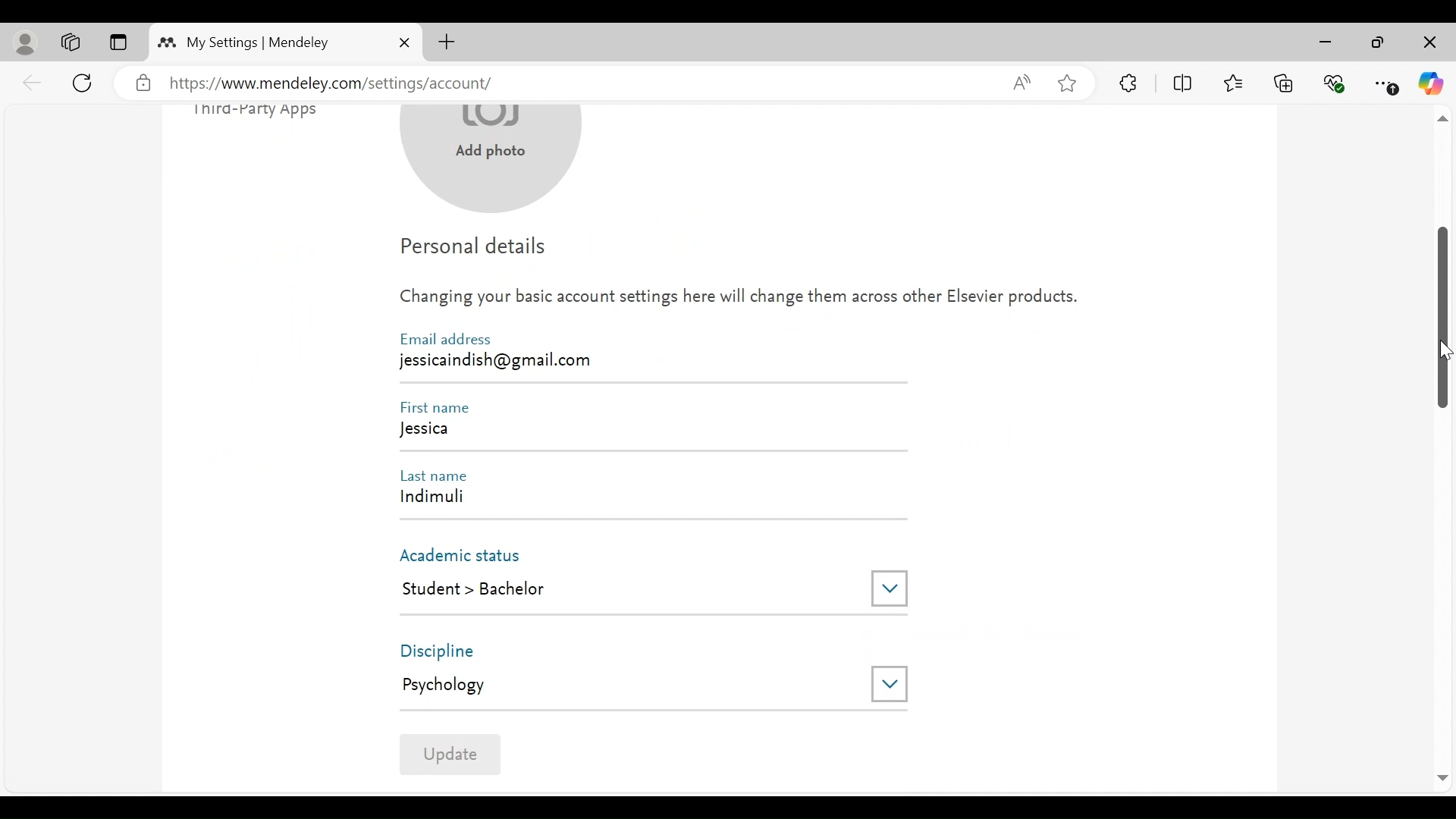 The width and height of the screenshot is (1456, 819). I want to click on Cursor, so click(1443, 352).